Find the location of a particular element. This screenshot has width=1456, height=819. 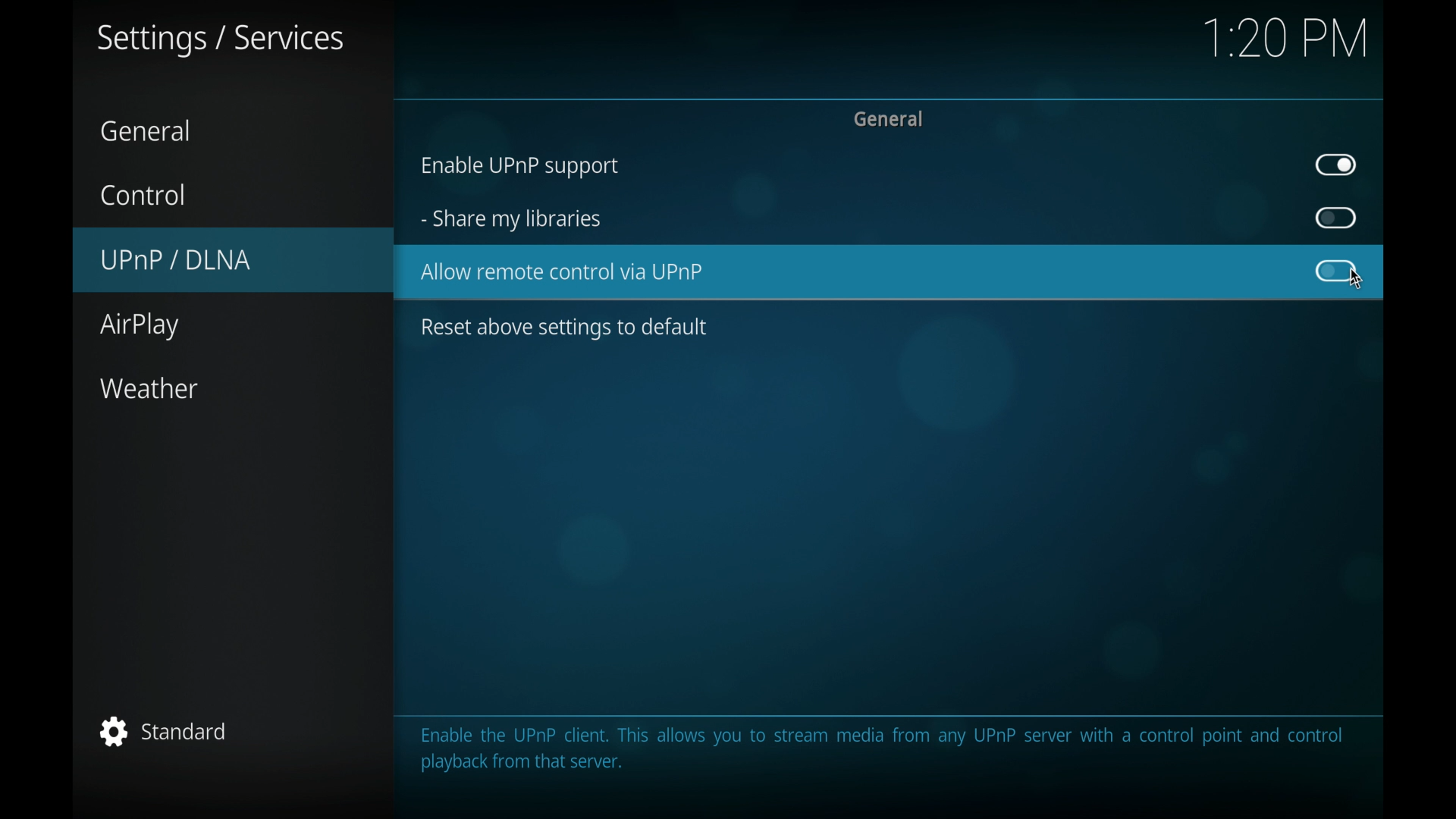

control is located at coordinates (143, 194).